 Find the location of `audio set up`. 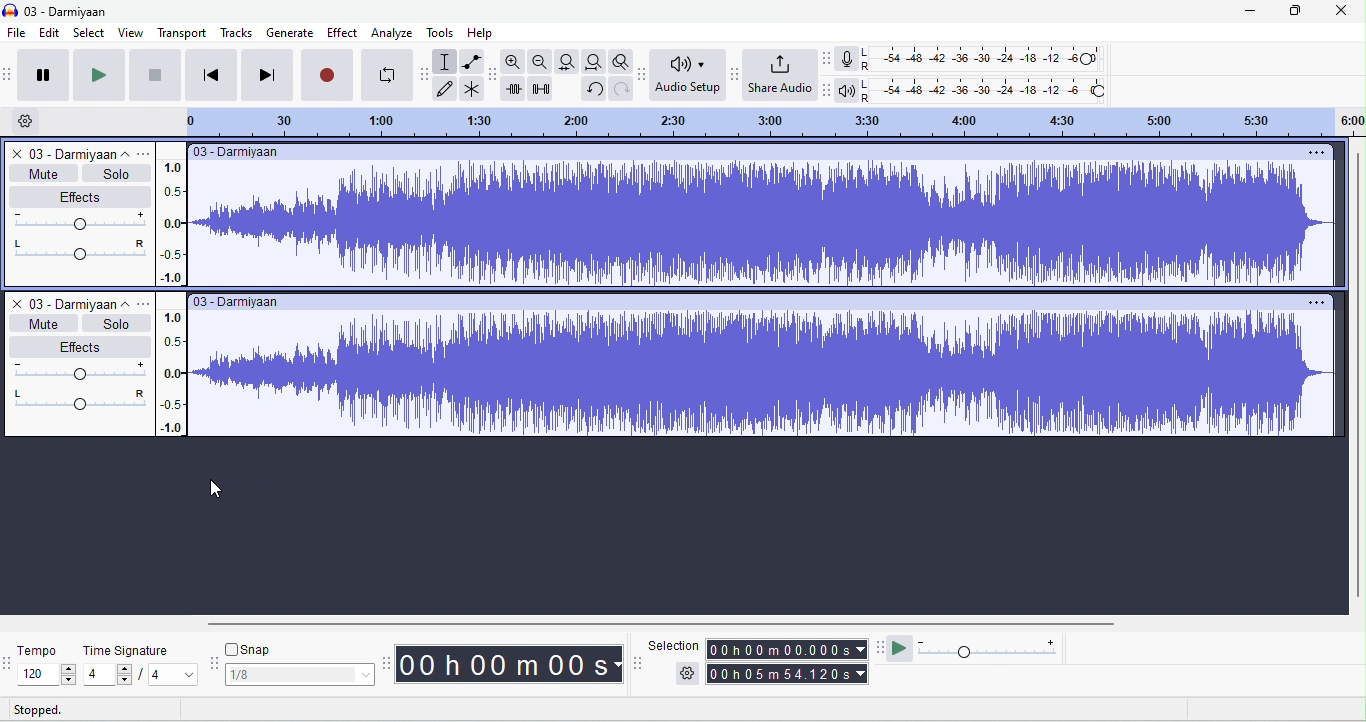

audio set up is located at coordinates (688, 75).